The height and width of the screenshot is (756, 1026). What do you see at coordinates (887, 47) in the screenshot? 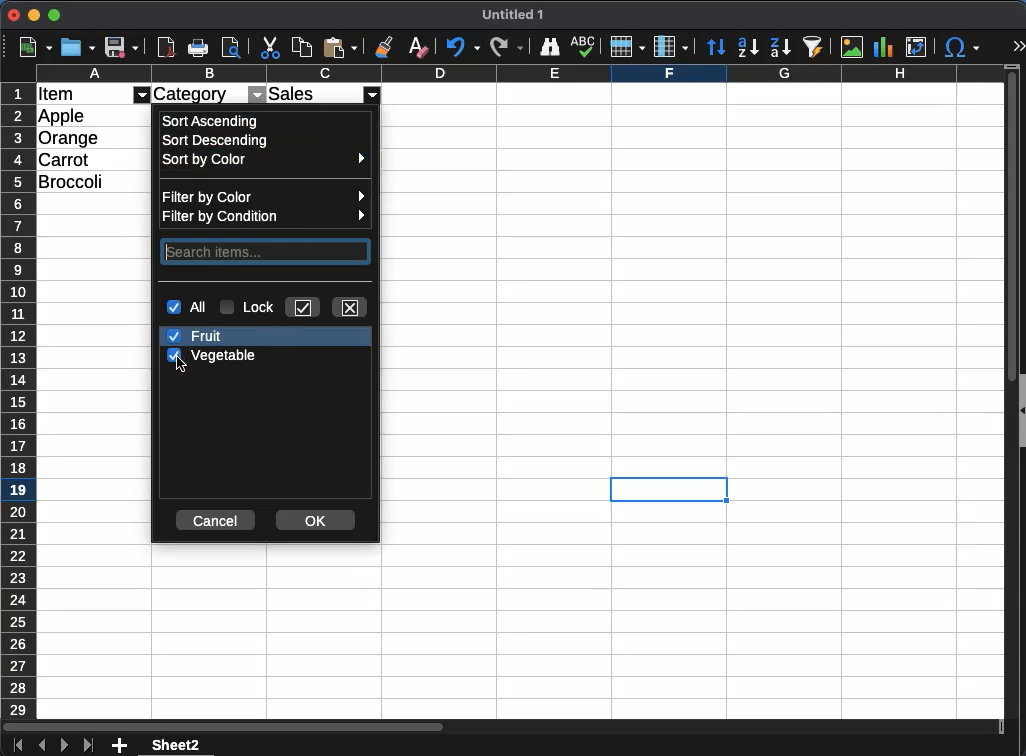
I see `chart` at bounding box center [887, 47].